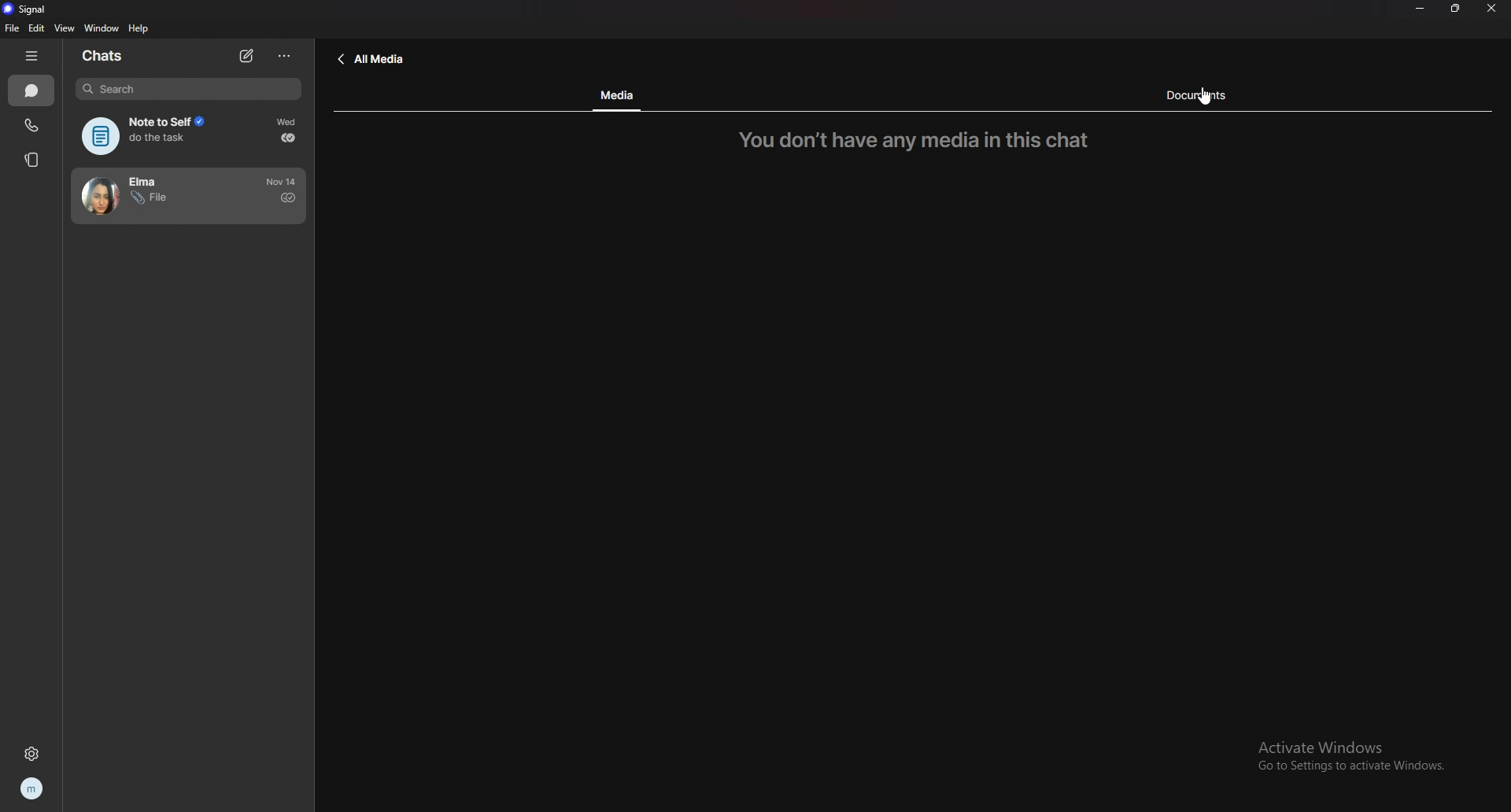 The width and height of the screenshot is (1511, 812). What do you see at coordinates (35, 29) in the screenshot?
I see `edit` at bounding box center [35, 29].